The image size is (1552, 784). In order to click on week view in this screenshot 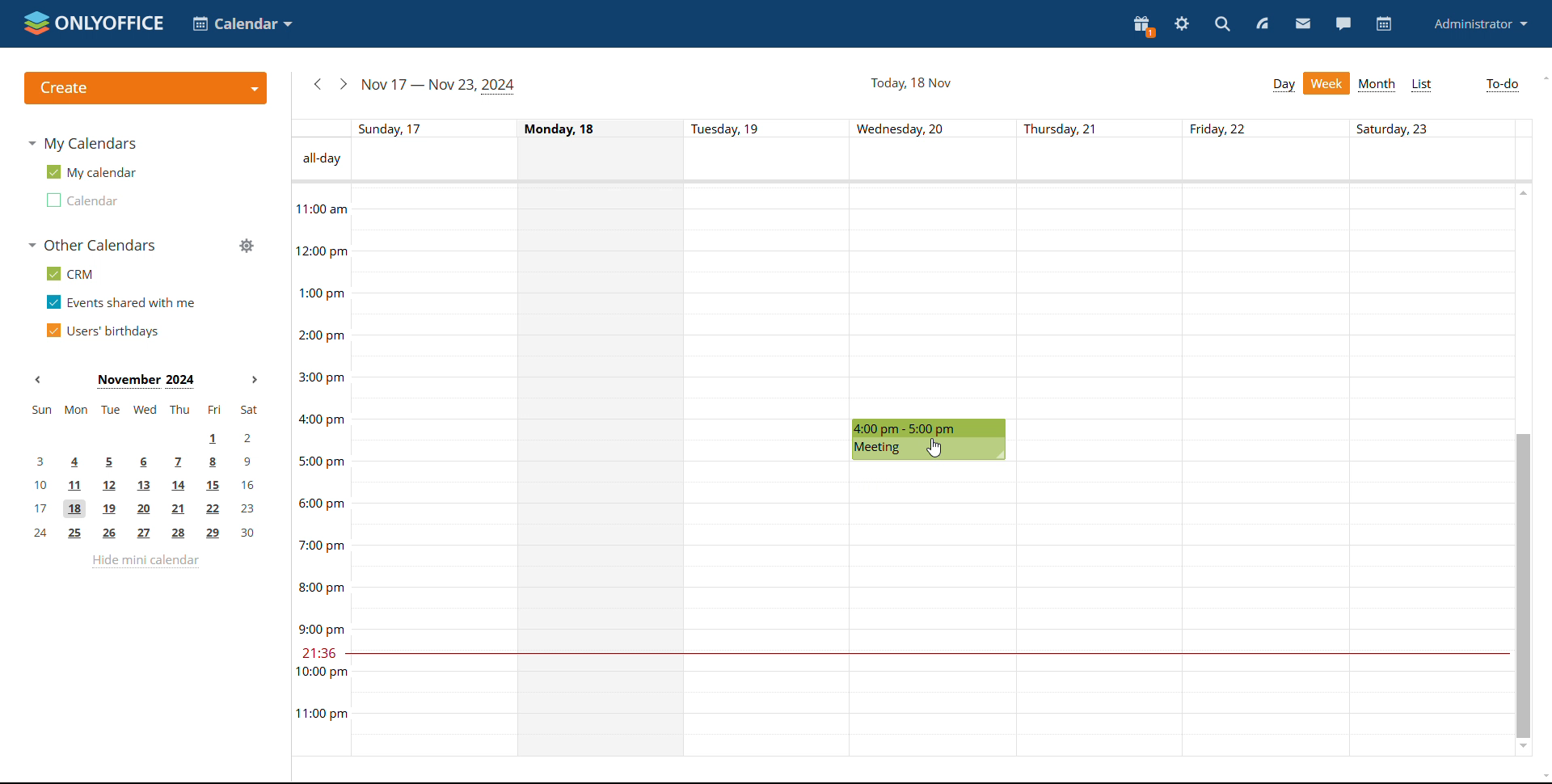, I will do `click(1326, 83)`.